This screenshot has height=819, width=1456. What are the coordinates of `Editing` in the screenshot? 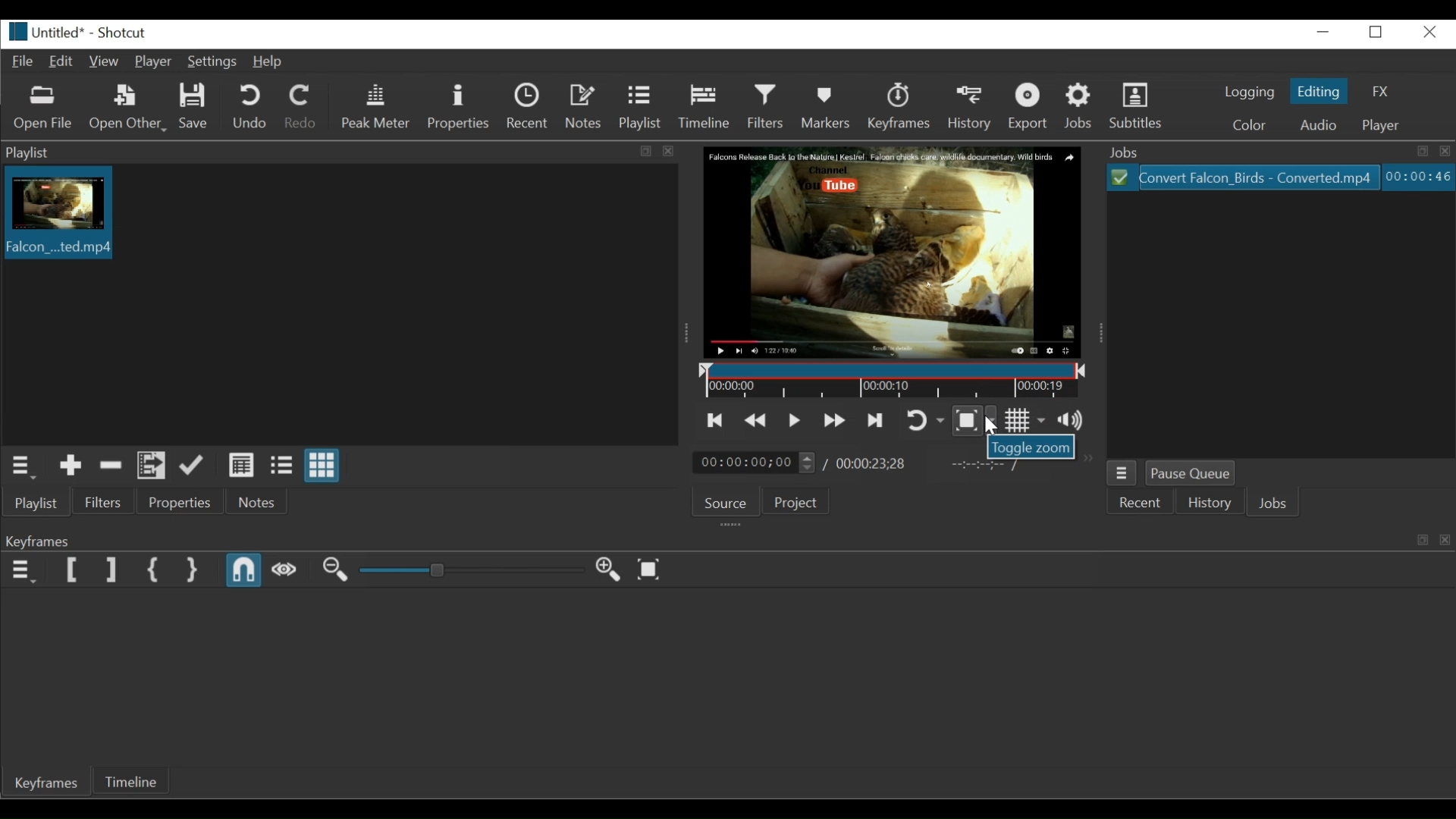 It's located at (1318, 89).